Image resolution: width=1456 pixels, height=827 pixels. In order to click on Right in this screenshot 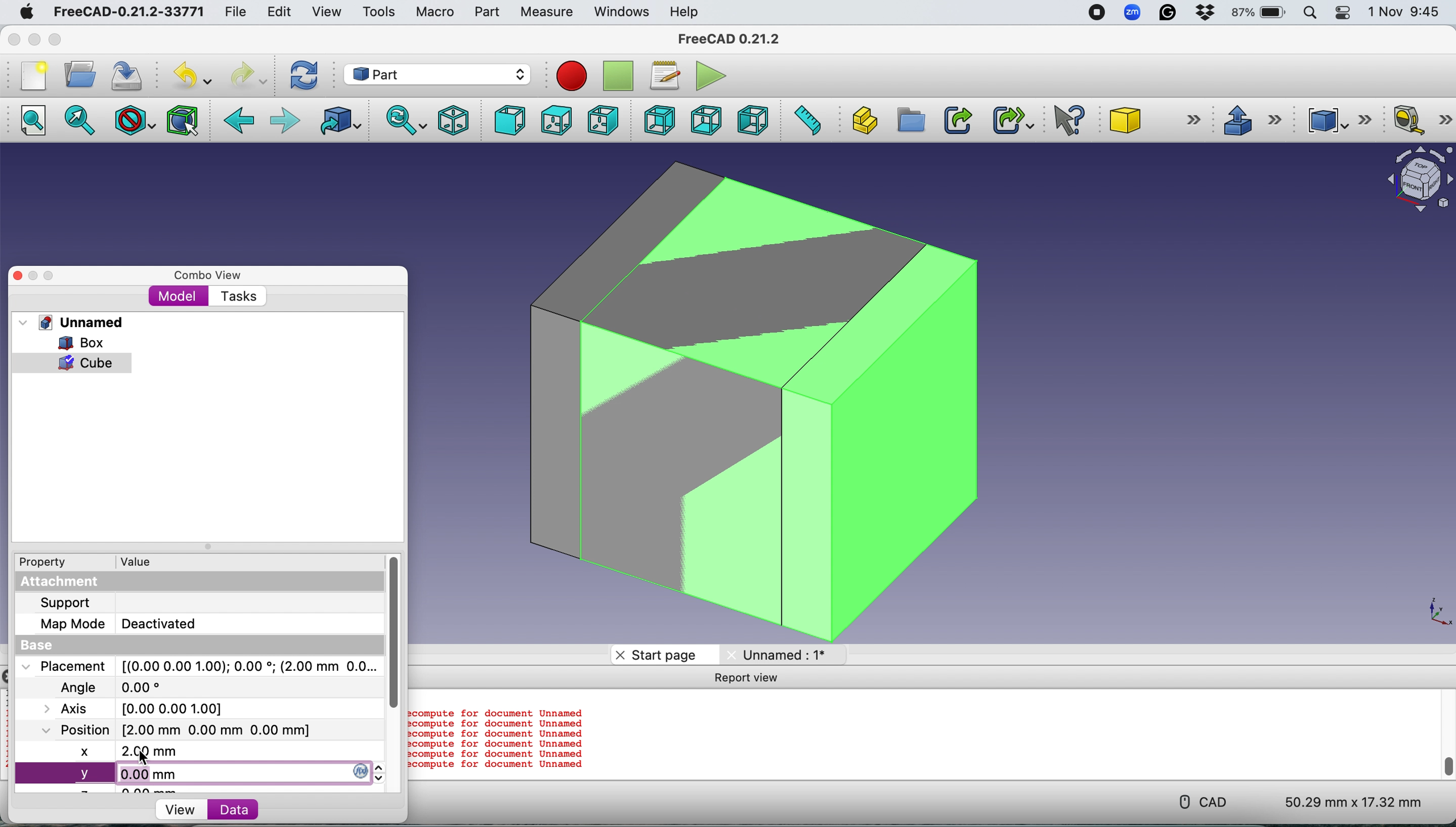, I will do `click(603, 122)`.